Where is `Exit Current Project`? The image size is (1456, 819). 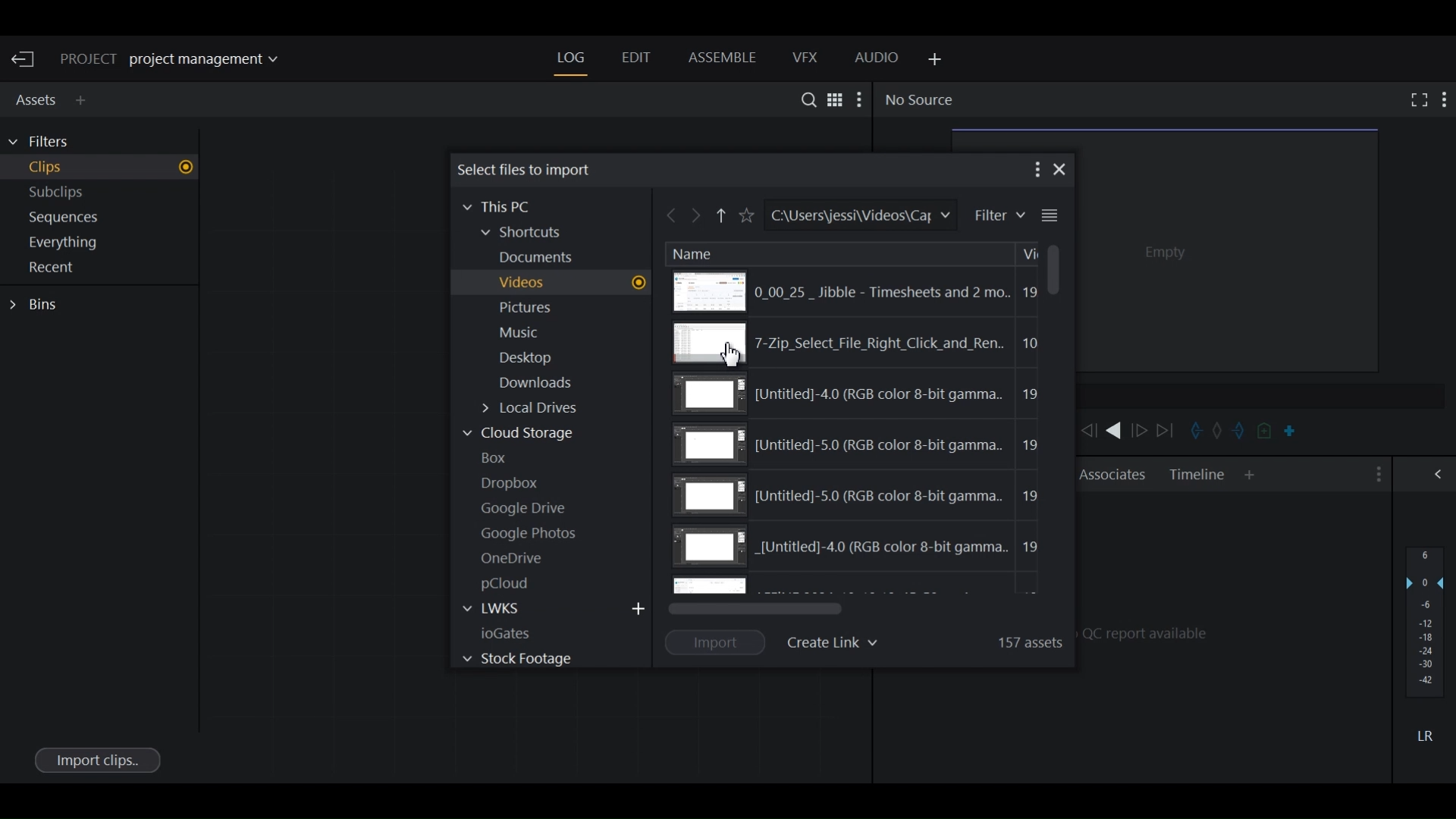 Exit Current Project is located at coordinates (26, 60).